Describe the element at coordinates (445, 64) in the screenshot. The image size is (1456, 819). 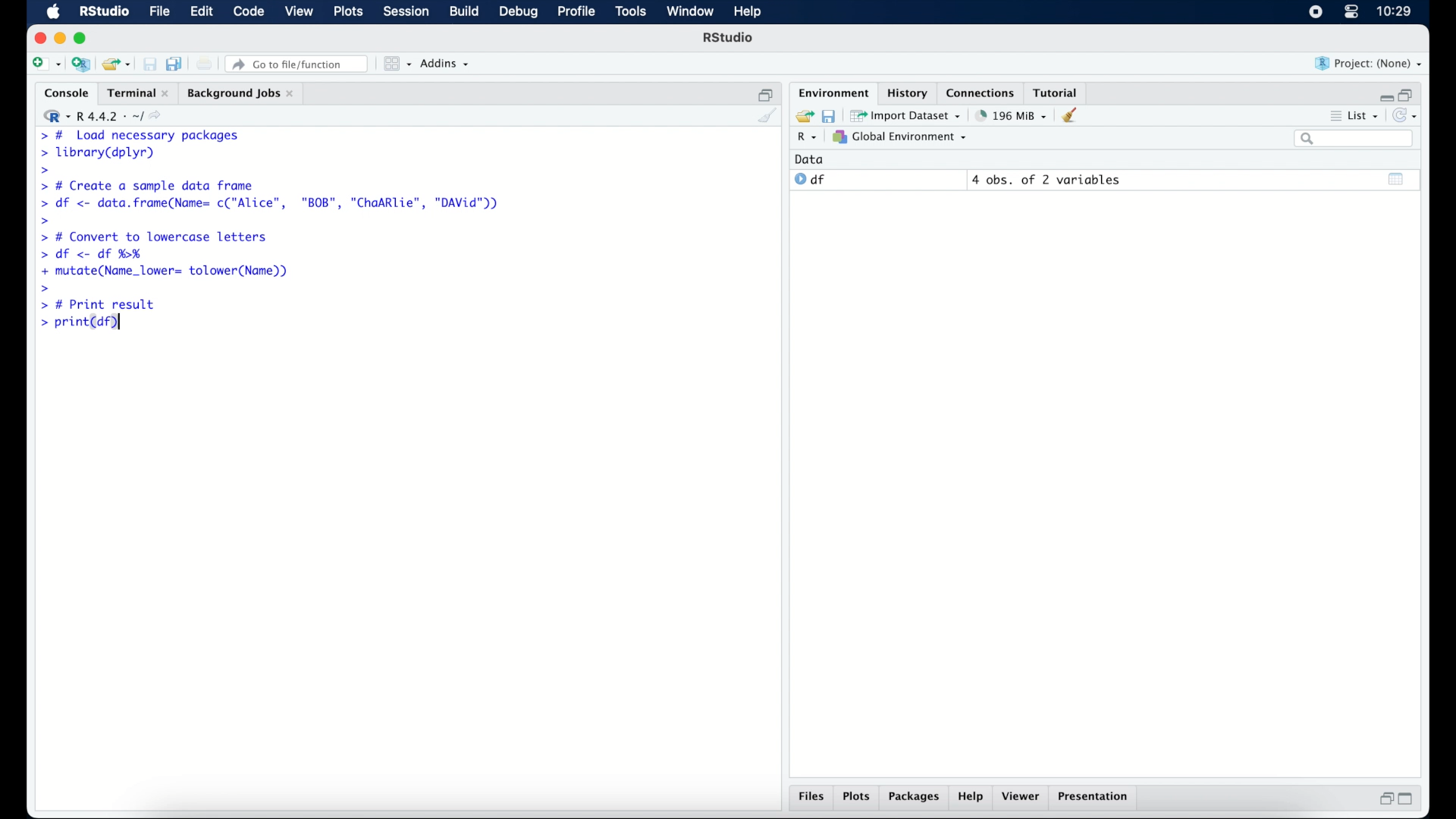
I see `addins` at that location.